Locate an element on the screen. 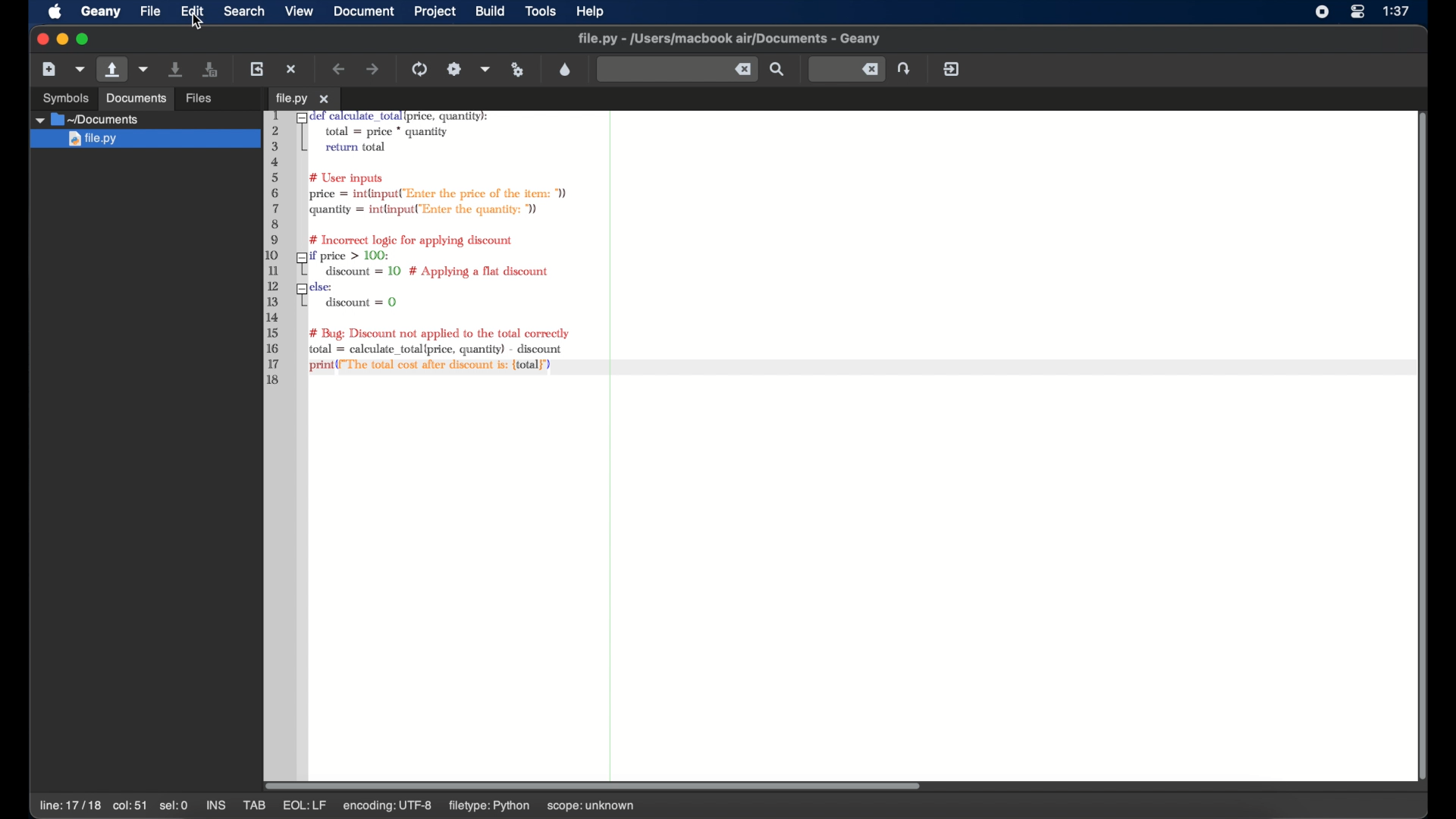 Image resolution: width=1456 pixels, height=819 pixels. documents is located at coordinates (135, 98).